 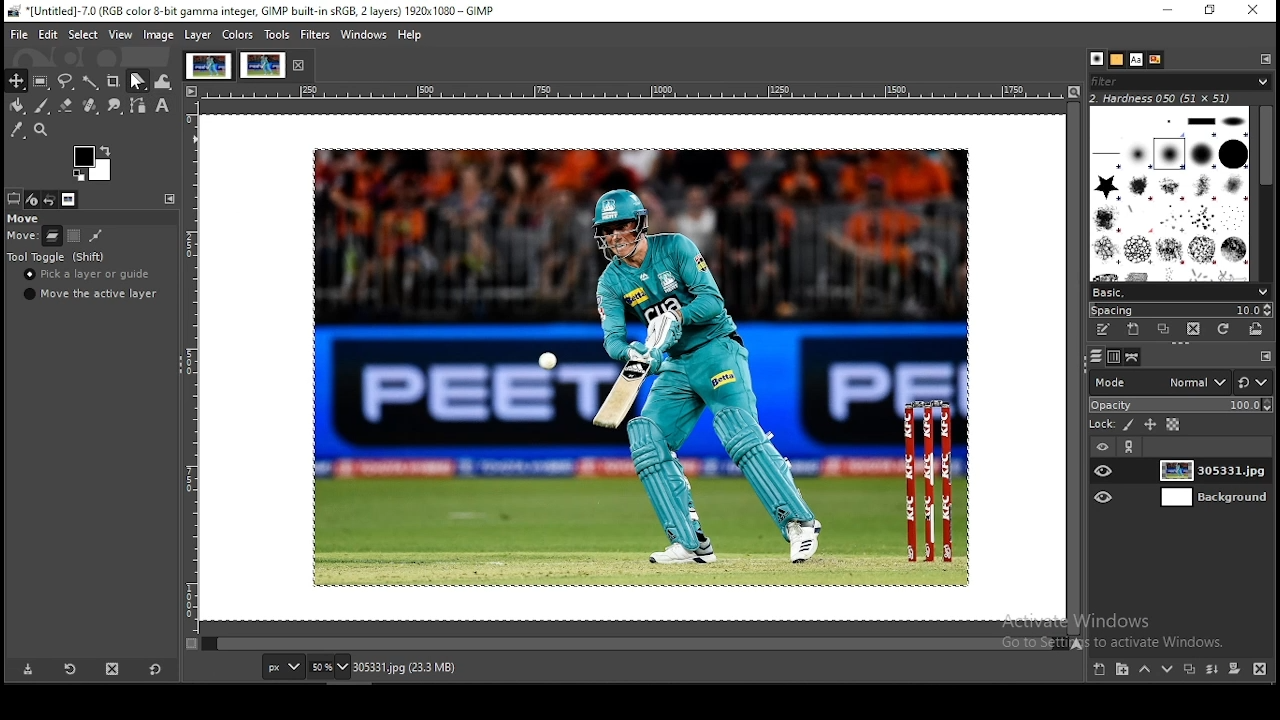 What do you see at coordinates (1105, 470) in the screenshot?
I see `layer visibility on/off` at bounding box center [1105, 470].